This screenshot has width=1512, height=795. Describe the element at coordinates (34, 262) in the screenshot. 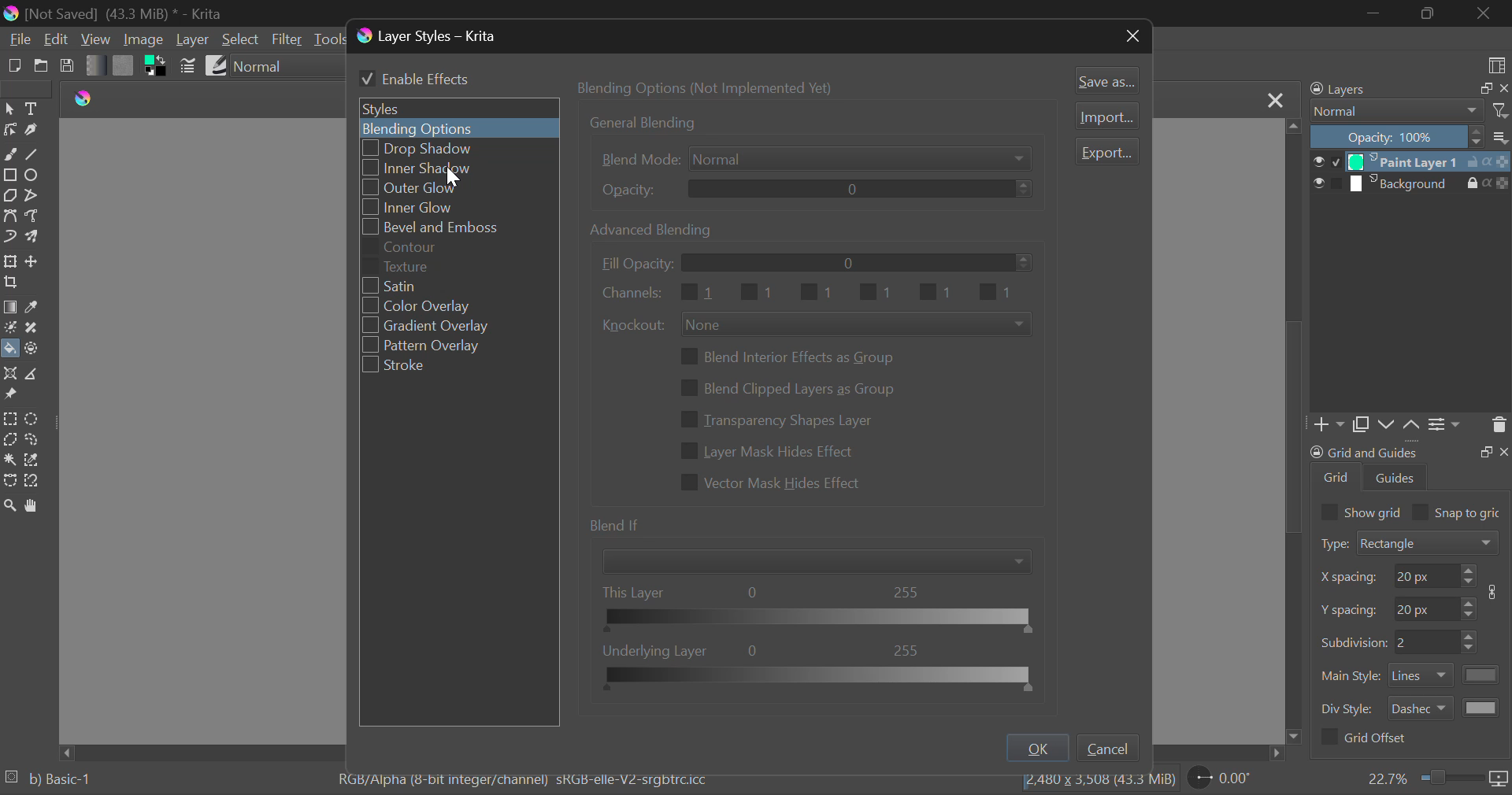

I see `Move Layer` at that location.